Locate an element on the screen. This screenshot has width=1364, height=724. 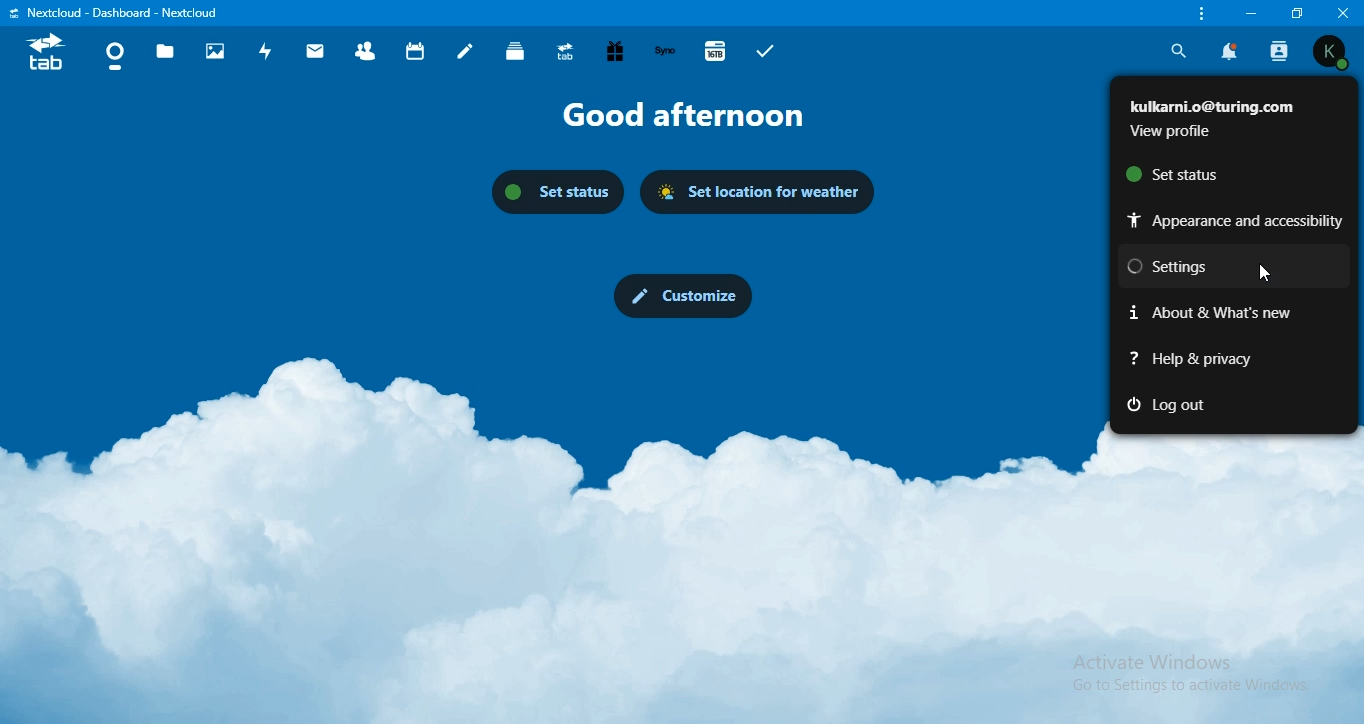
photos is located at coordinates (217, 52).